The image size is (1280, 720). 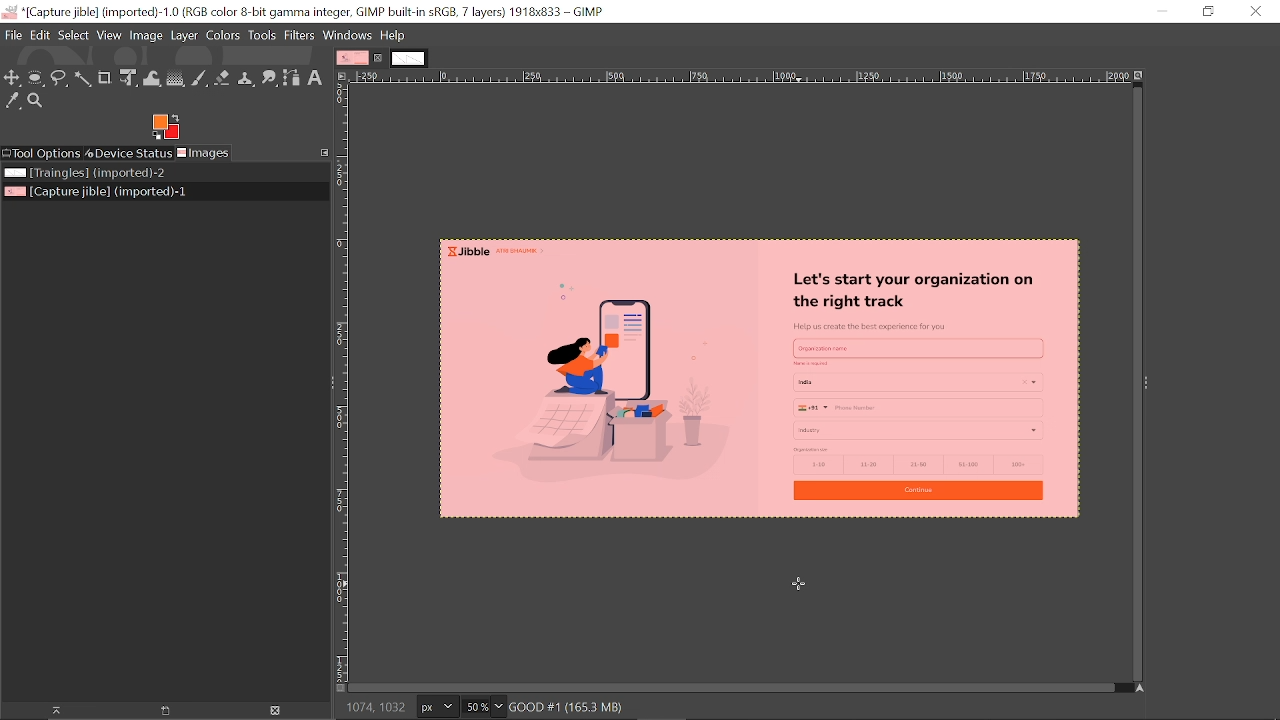 What do you see at coordinates (105, 77) in the screenshot?
I see `Crop text` at bounding box center [105, 77].